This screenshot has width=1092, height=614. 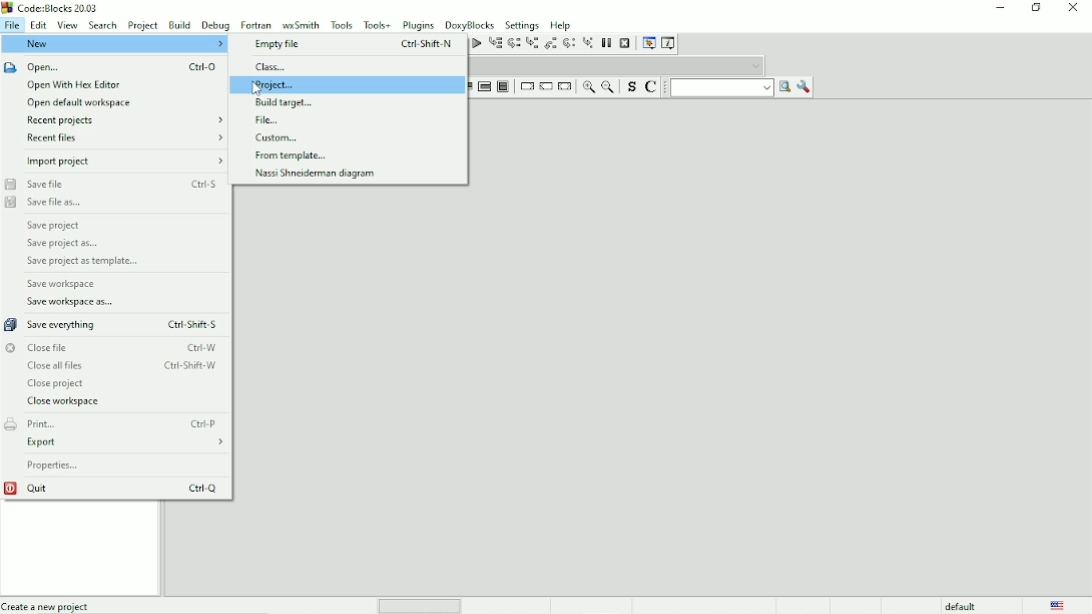 What do you see at coordinates (115, 423) in the screenshot?
I see `Print` at bounding box center [115, 423].